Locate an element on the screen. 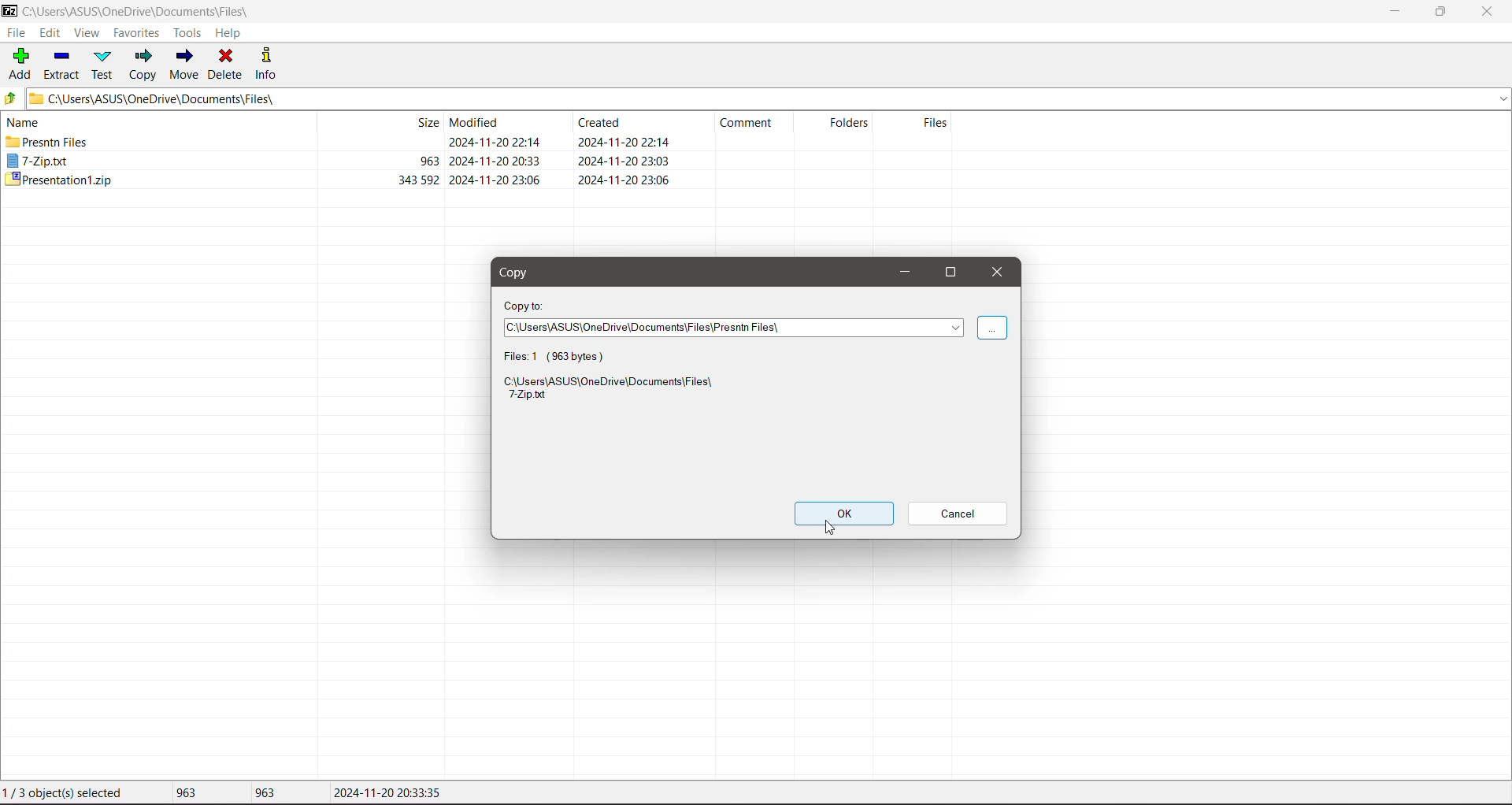  Maximize is located at coordinates (955, 272).